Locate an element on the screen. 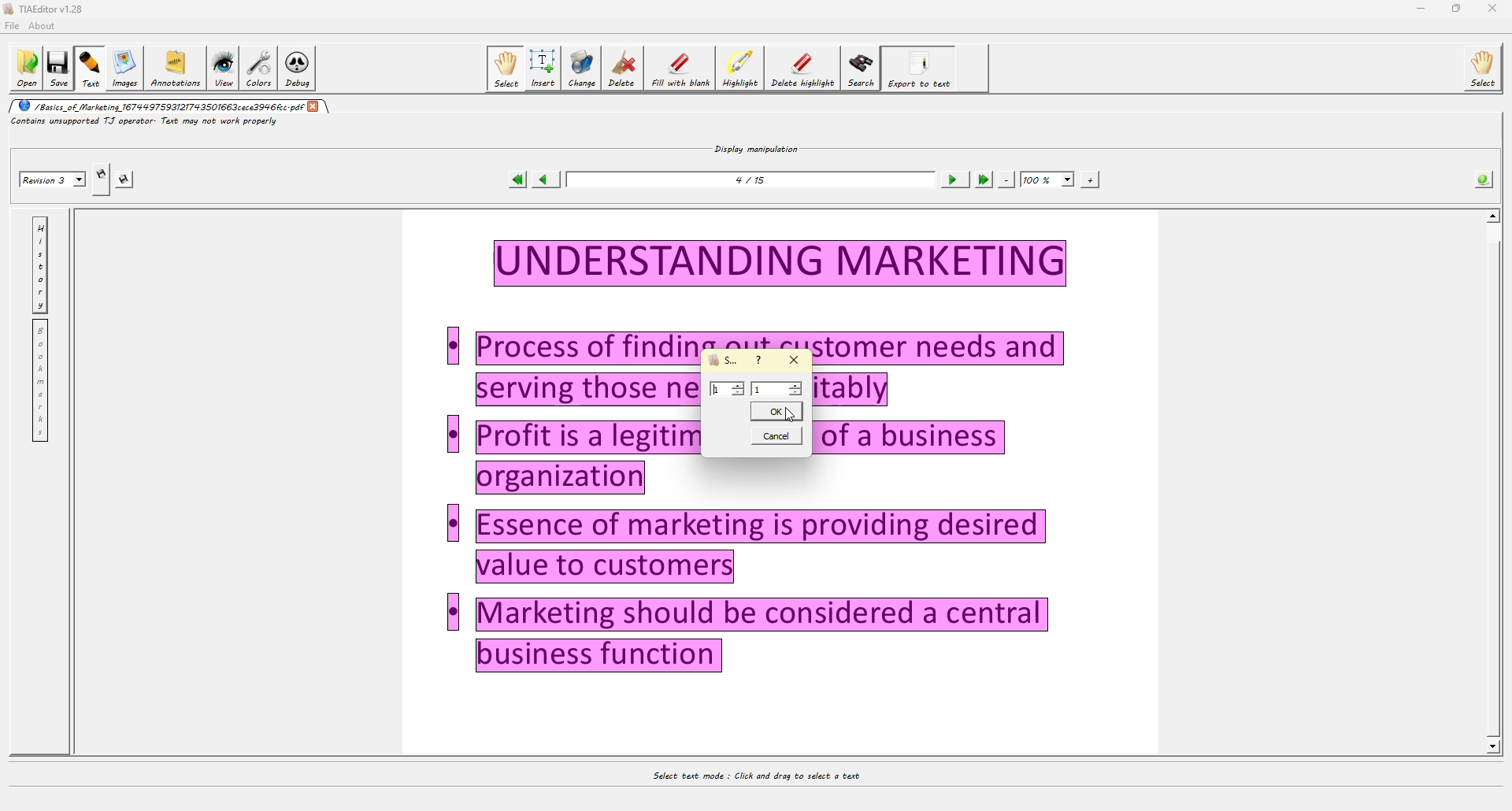 The height and width of the screenshot is (811, 1512). text is located at coordinates (92, 71).